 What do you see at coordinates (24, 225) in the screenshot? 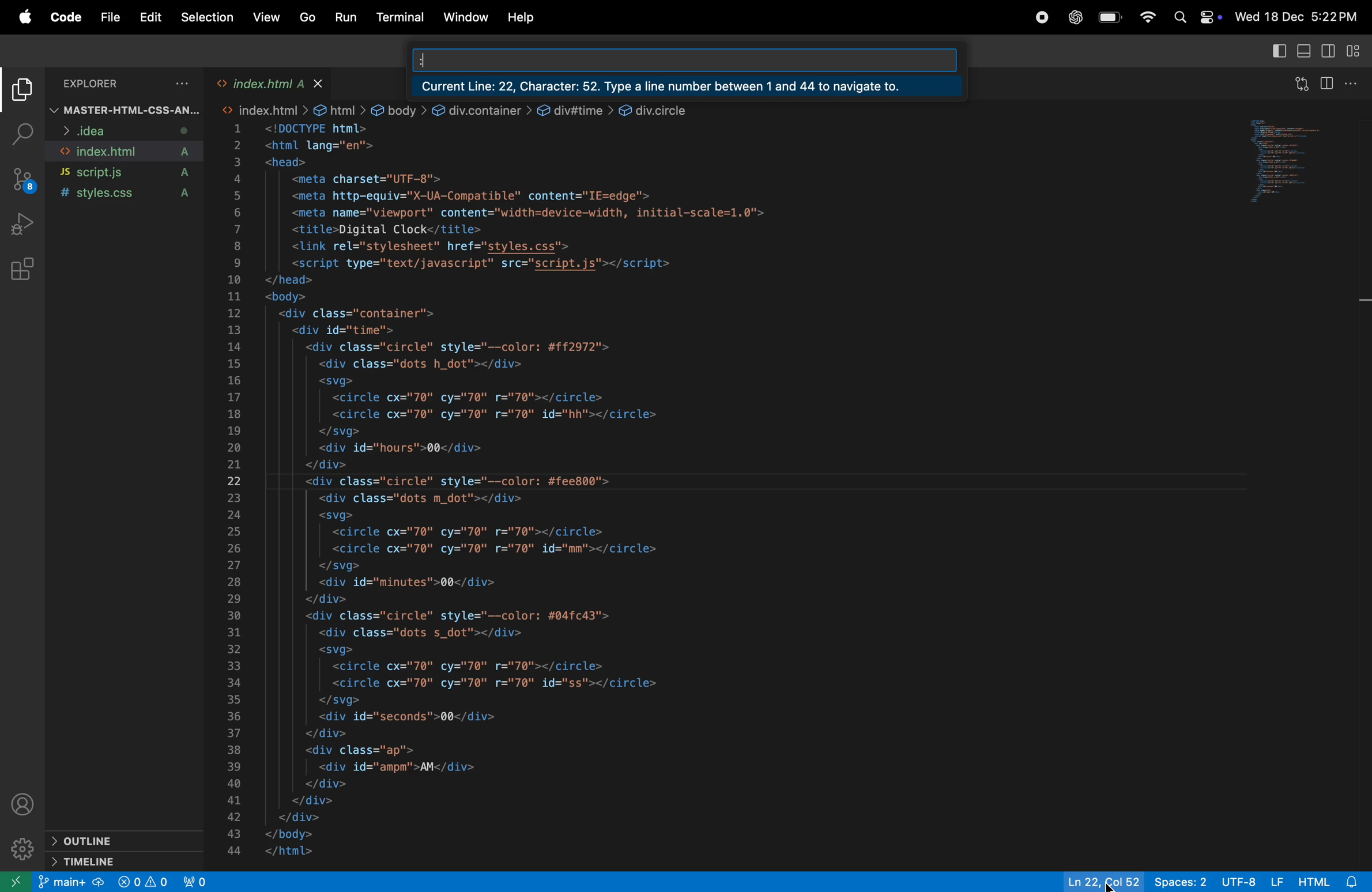
I see `run and debug` at bounding box center [24, 225].